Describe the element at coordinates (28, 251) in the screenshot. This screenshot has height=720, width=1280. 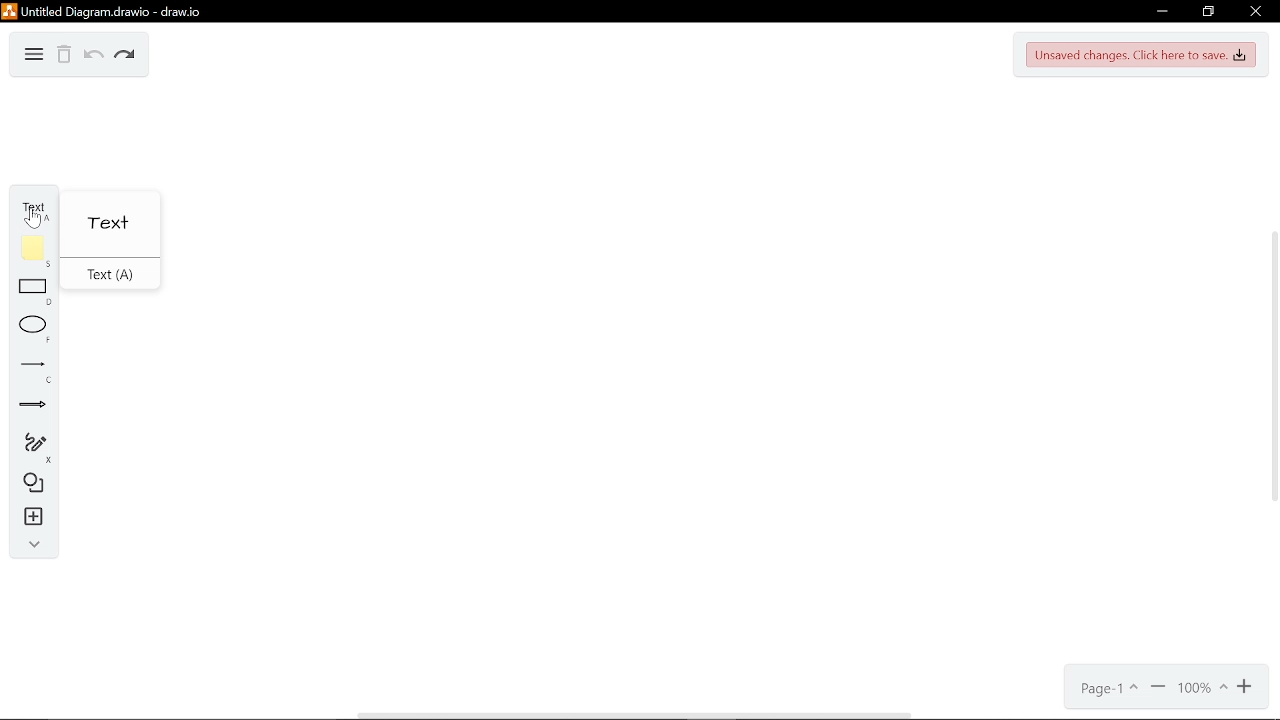
I see `Note` at that location.